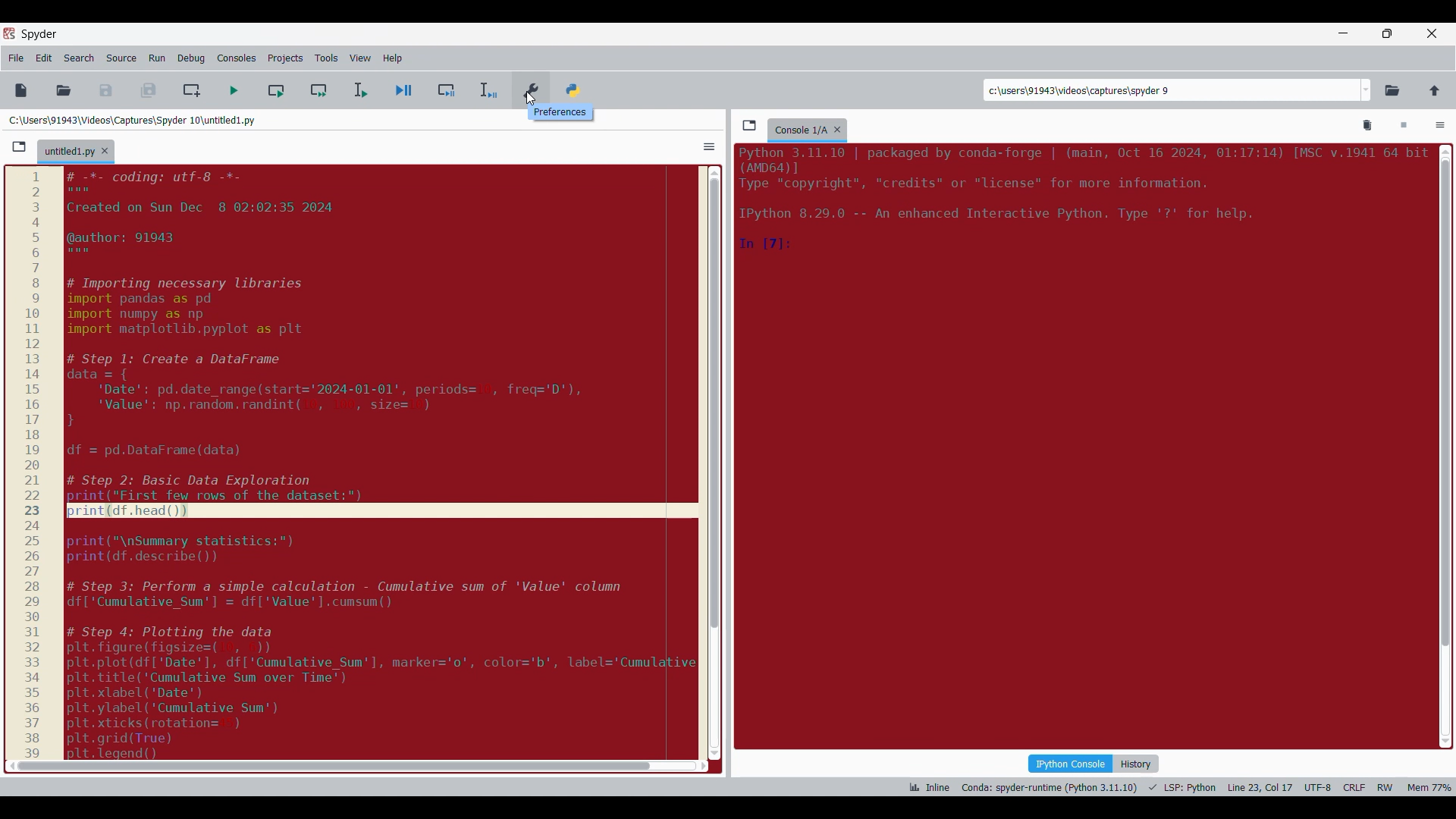  I want to click on Run menu, so click(157, 58).